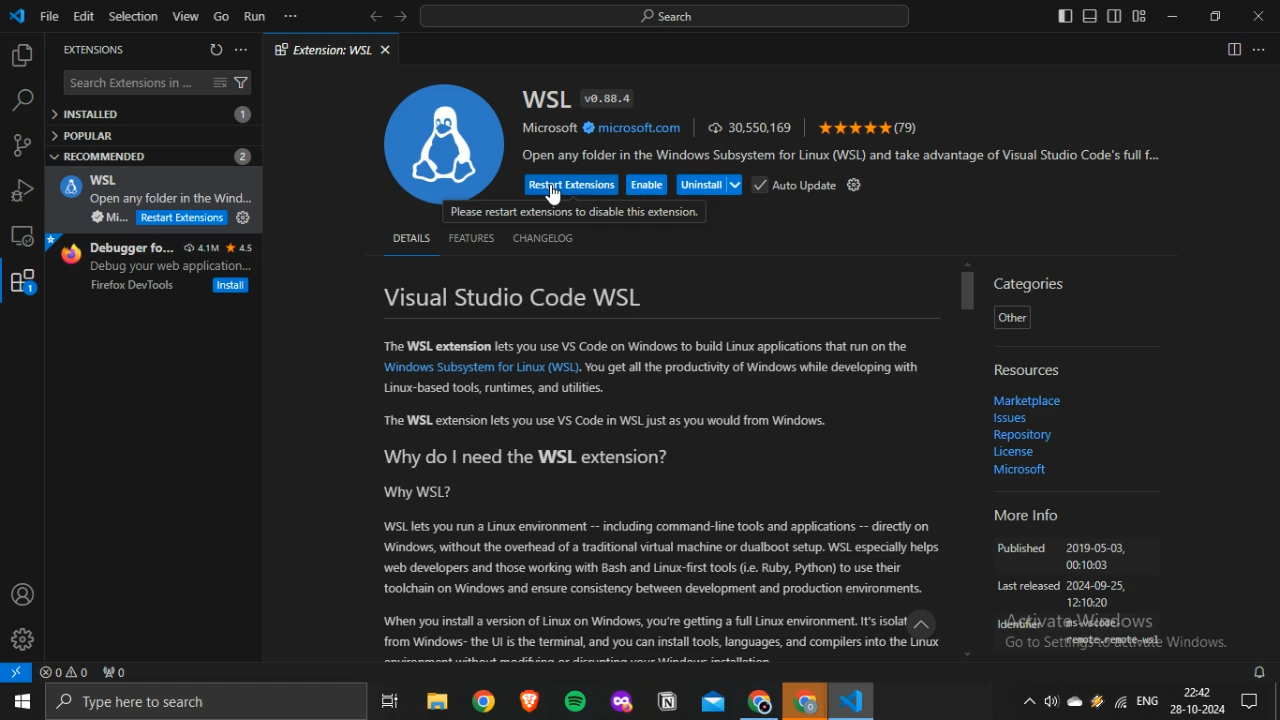 This screenshot has width=1280, height=720. I want to click on no problems, so click(64, 672).